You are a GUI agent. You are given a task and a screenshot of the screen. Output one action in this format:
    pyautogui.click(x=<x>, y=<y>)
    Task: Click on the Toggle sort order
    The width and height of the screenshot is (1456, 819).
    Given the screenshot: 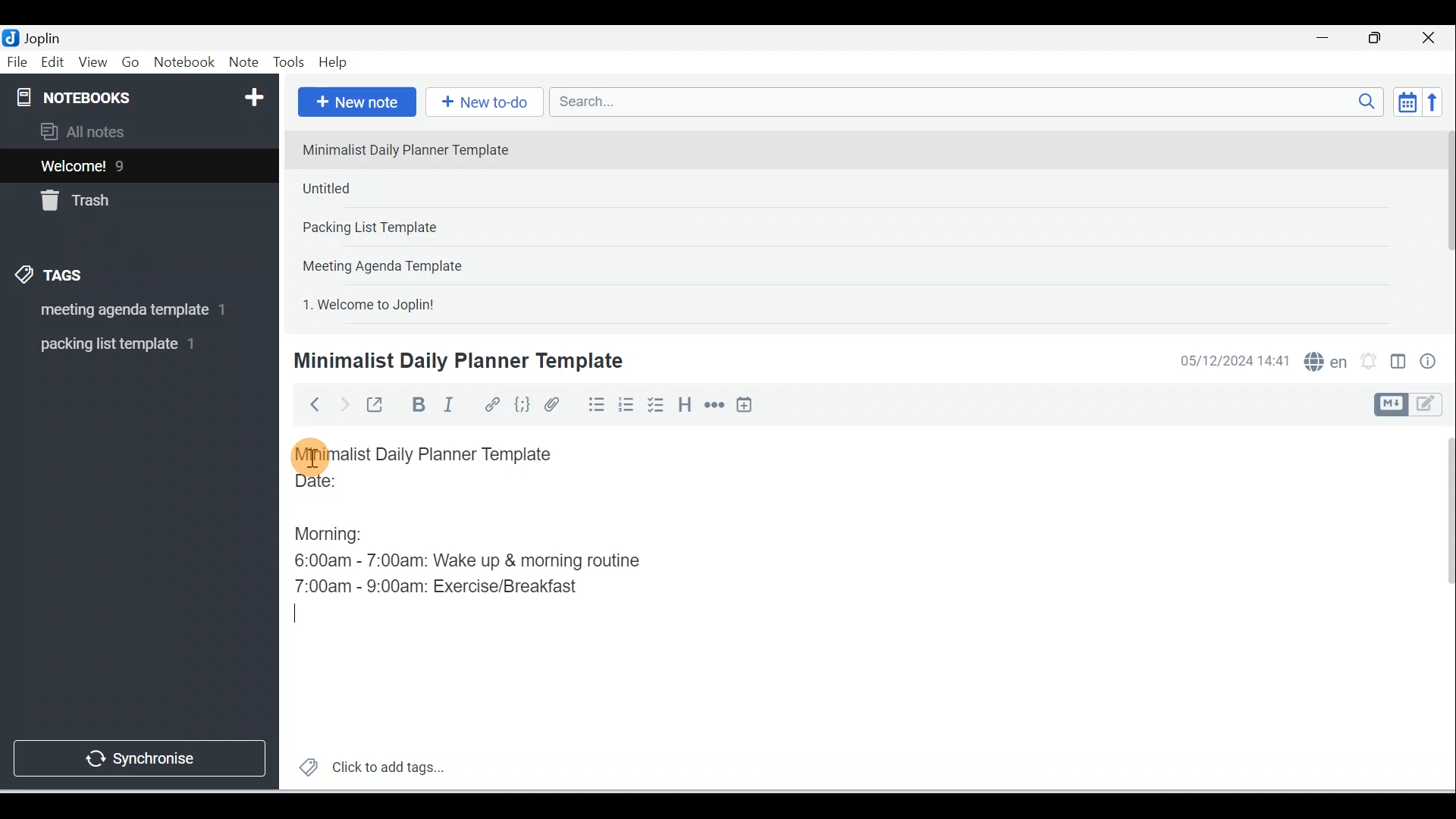 What is the action you would take?
    pyautogui.click(x=1407, y=101)
    